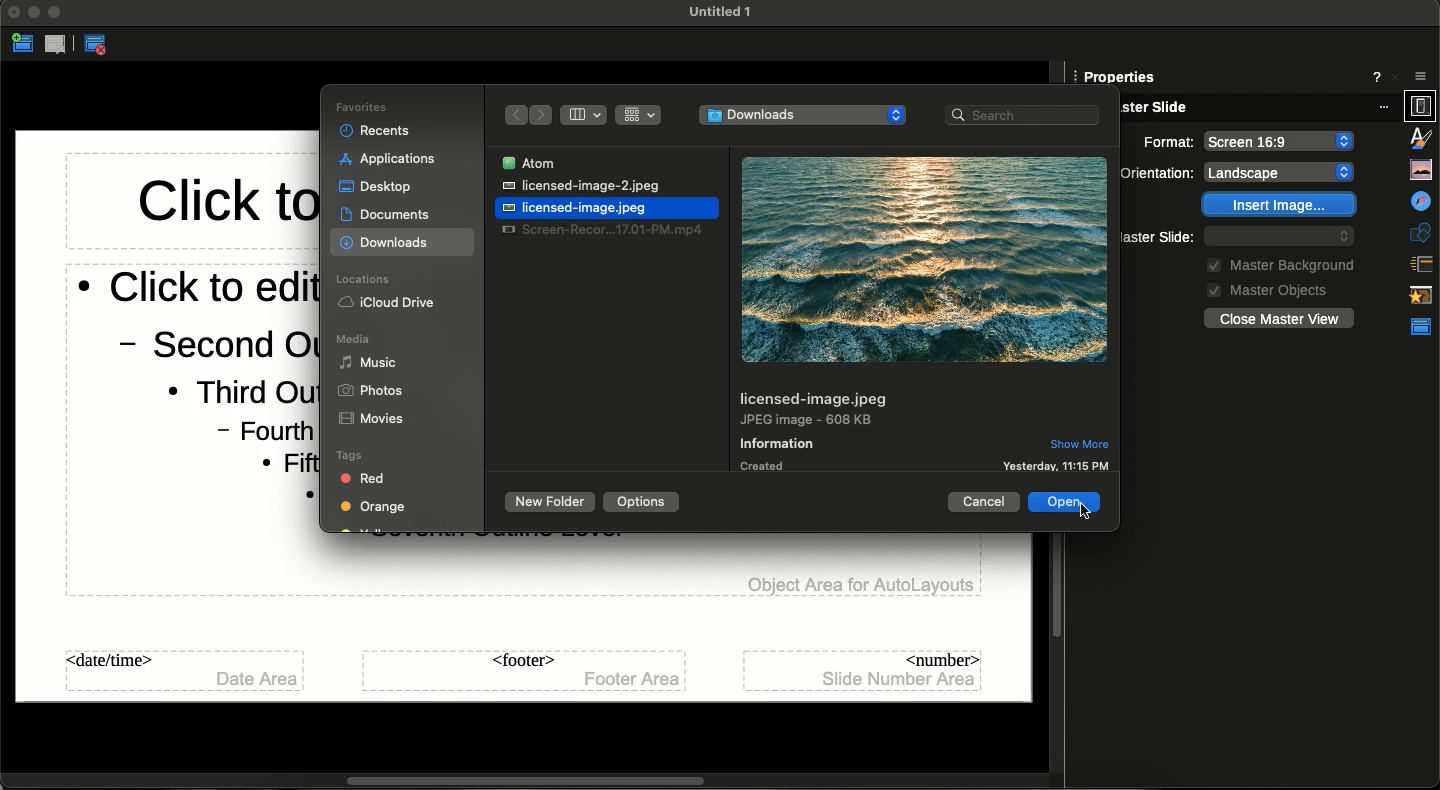 This screenshot has height=790, width=1440. I want to click on Master objects, so click(1263, 289).